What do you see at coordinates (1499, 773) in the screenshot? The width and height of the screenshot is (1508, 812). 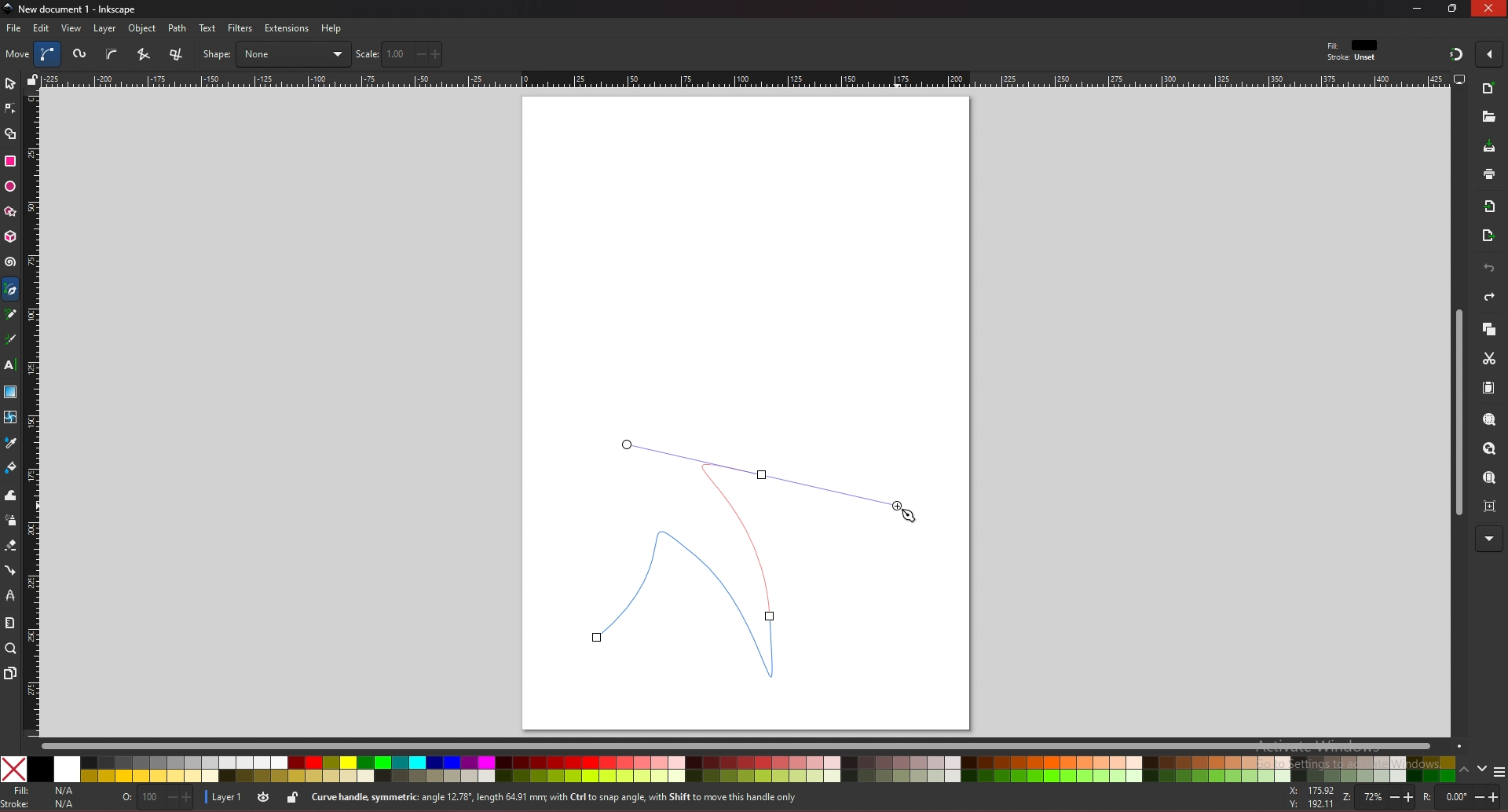 I see `more colors` at bounding box center [1499, 773].